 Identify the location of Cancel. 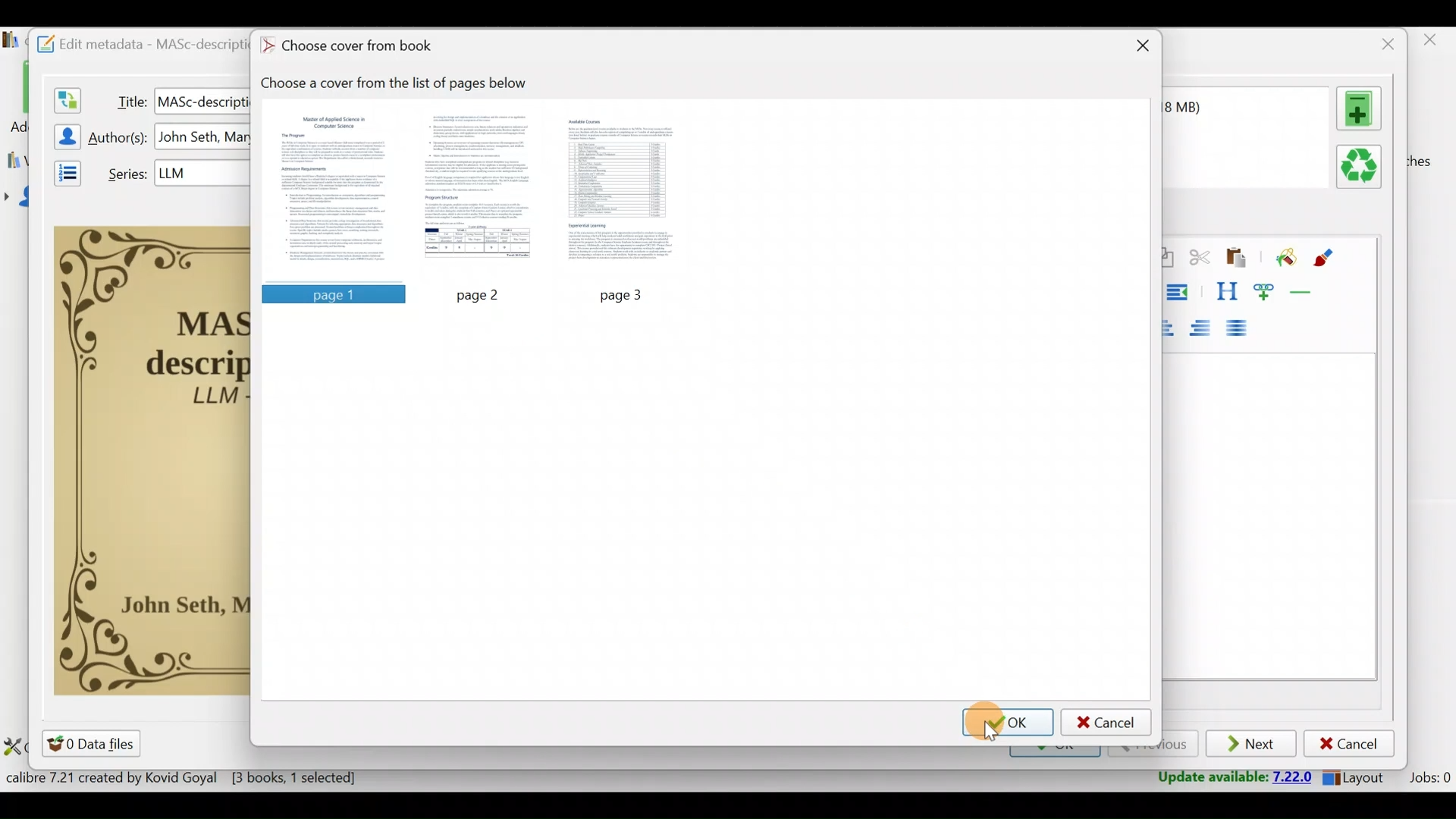
(1349, 744).